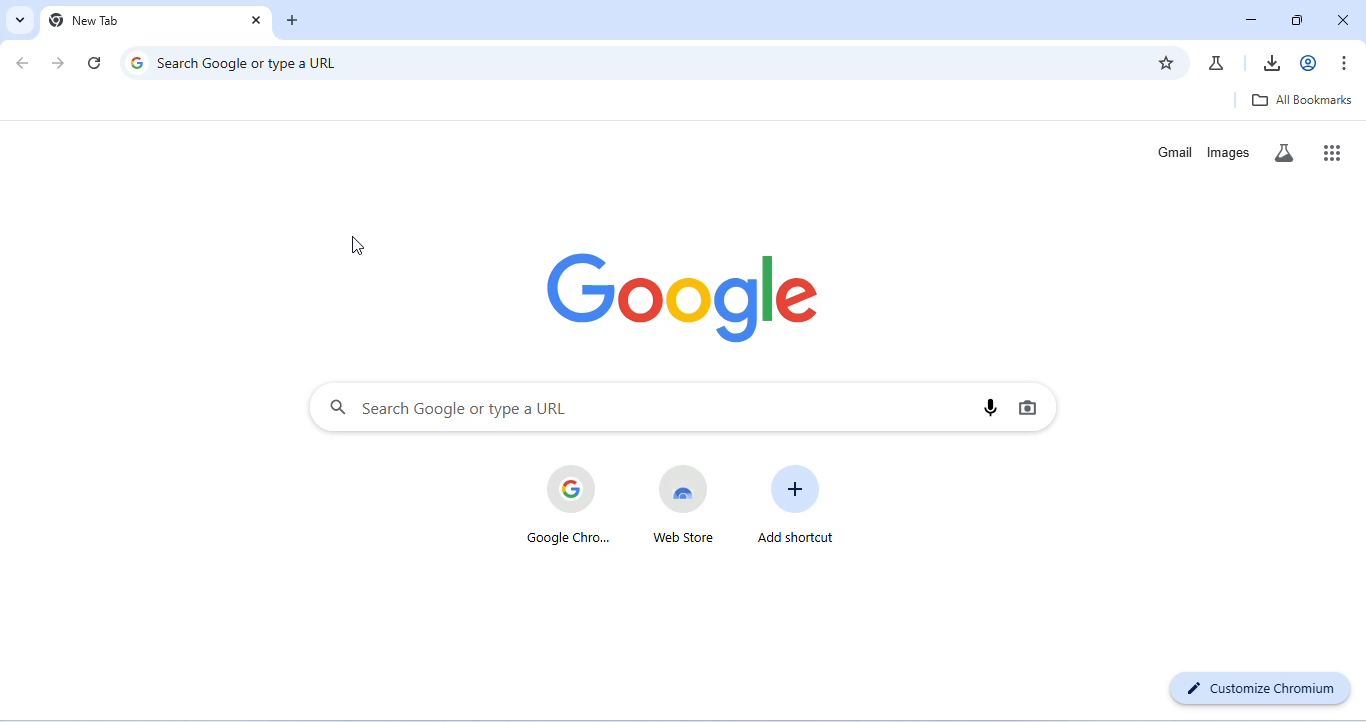 The height and width of the screenshot is (722, 1366). What do you see at coordinates (97, 62) in the screenshot?
I see `refresh` at bounding box center [97, 62].